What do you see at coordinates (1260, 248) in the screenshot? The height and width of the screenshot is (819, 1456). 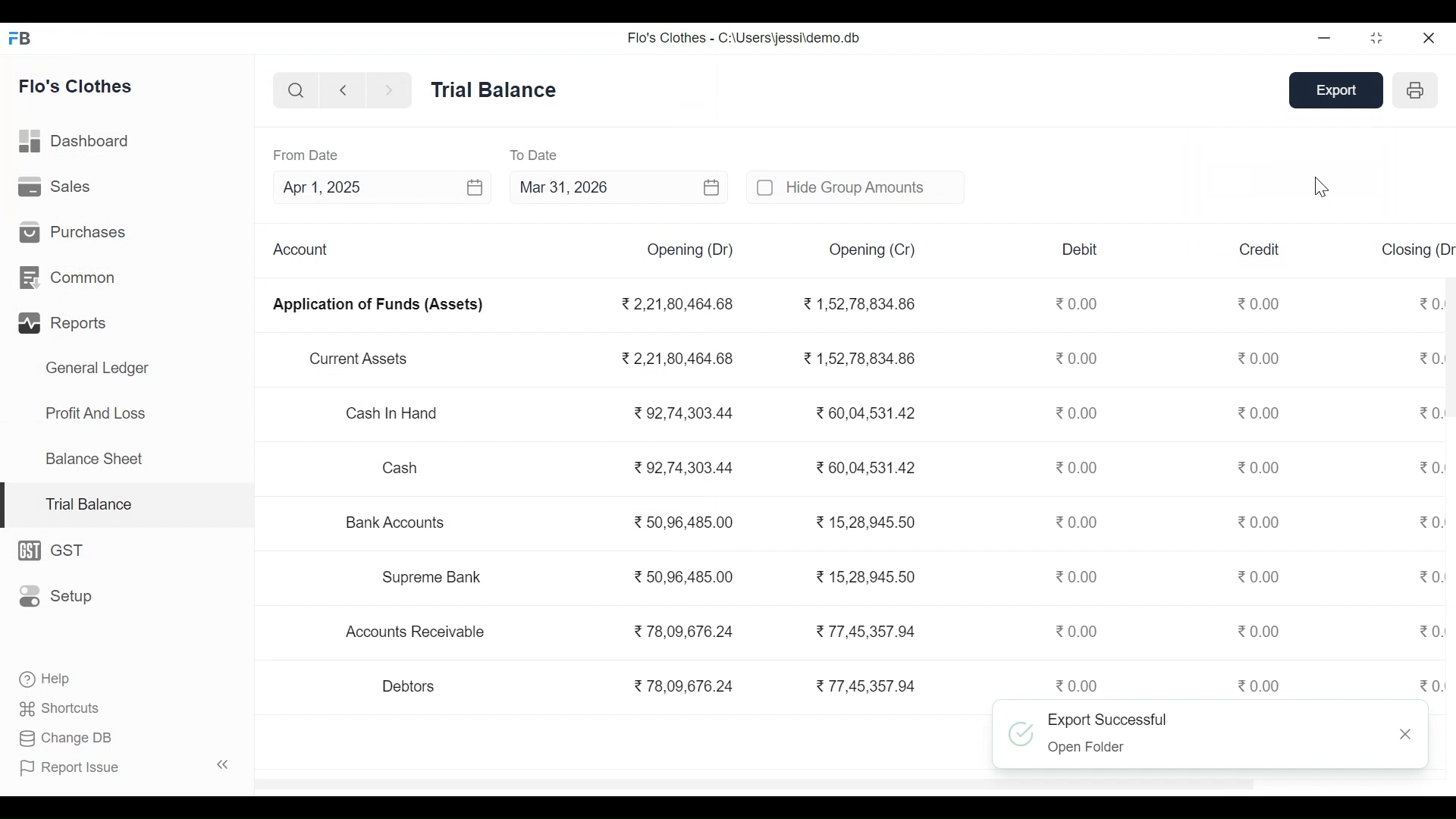 I see `Credit` at bounding box center [1260, 248].